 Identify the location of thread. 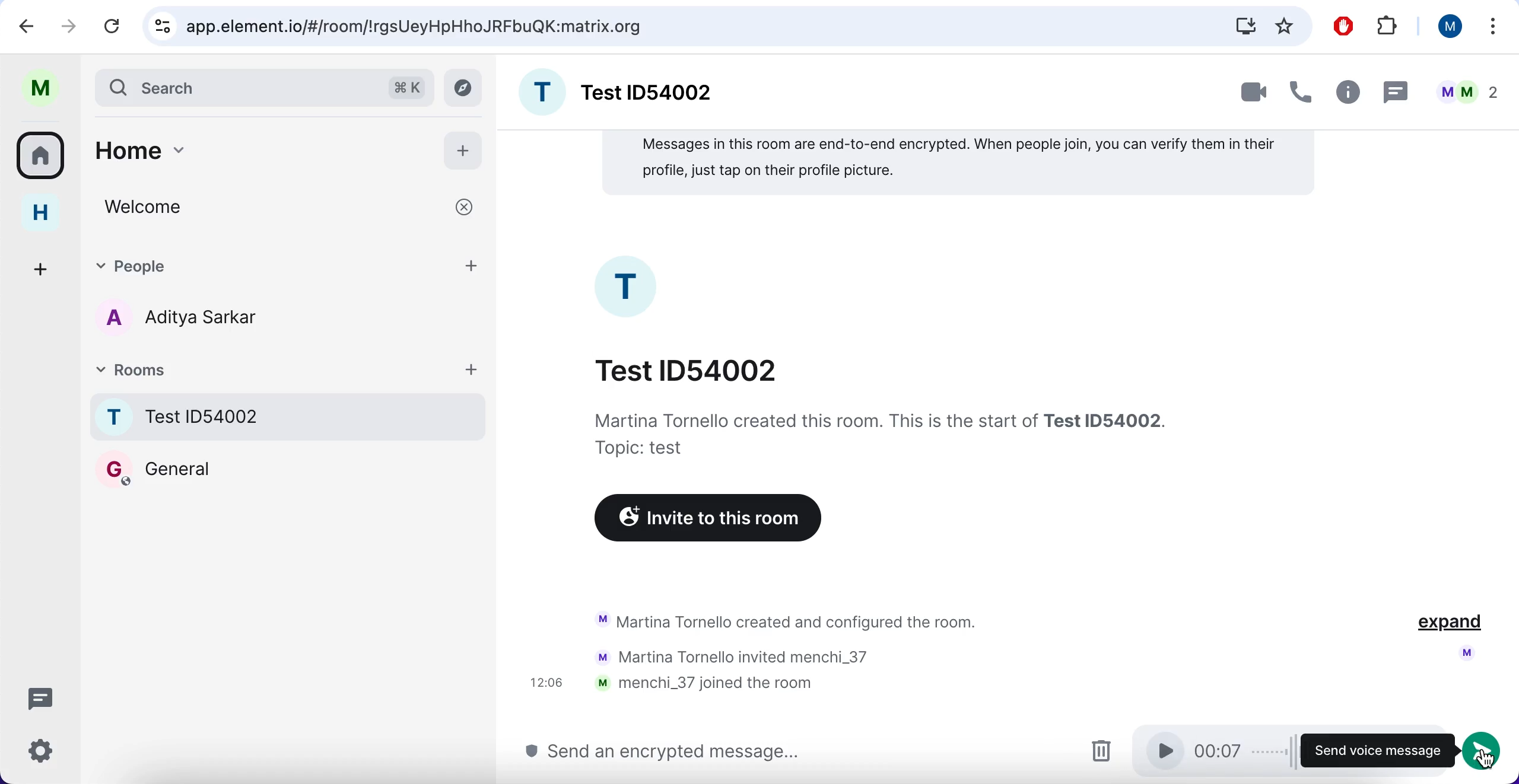
(1397, 90).